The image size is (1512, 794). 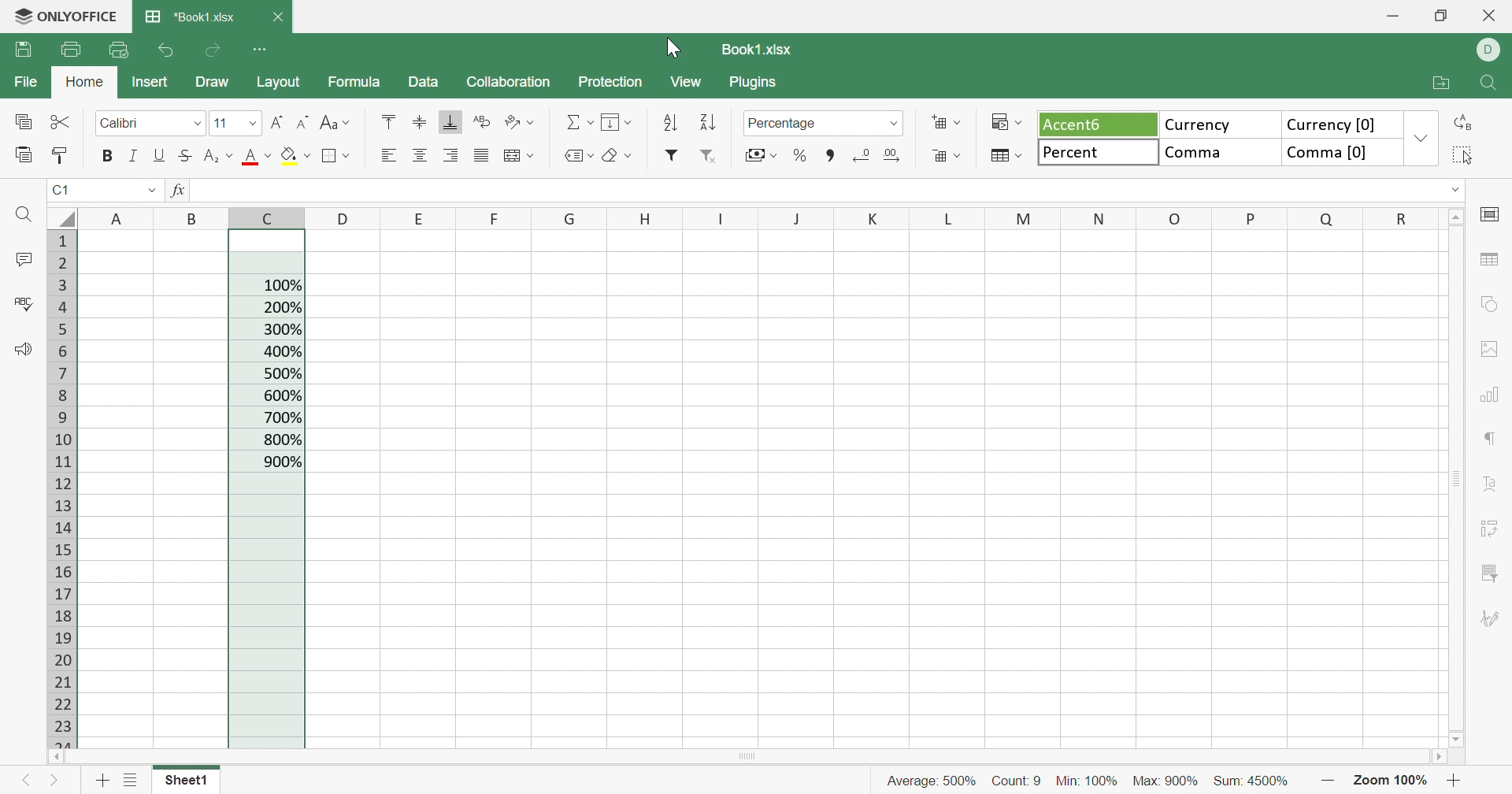 What do you see at coordinates (183, 155) in the screenshot?
I see `Strikethrough` at bounding box center [183, 155].